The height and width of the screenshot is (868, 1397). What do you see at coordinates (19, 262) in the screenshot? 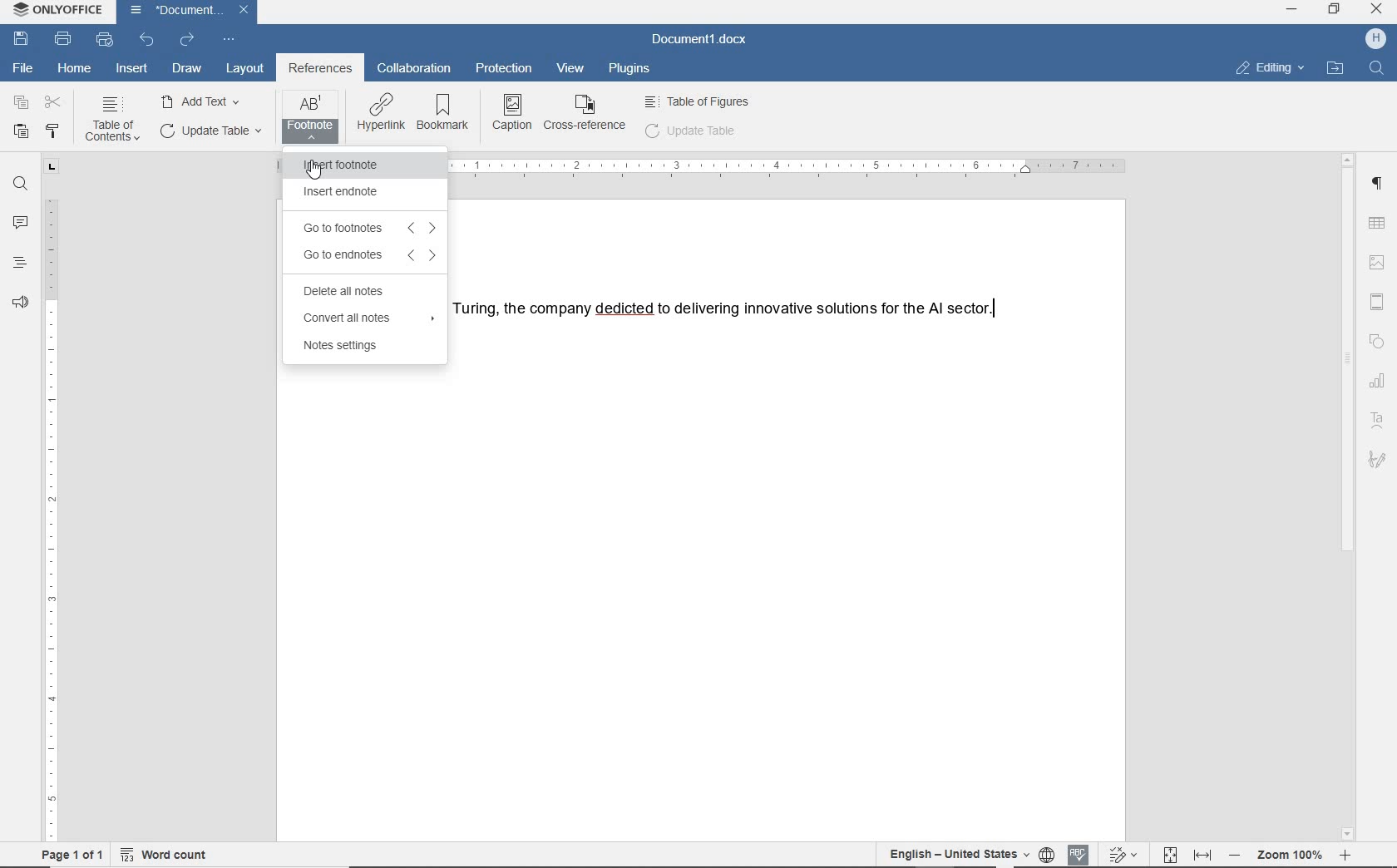
I see `headings` at bounding box center [19, 262].